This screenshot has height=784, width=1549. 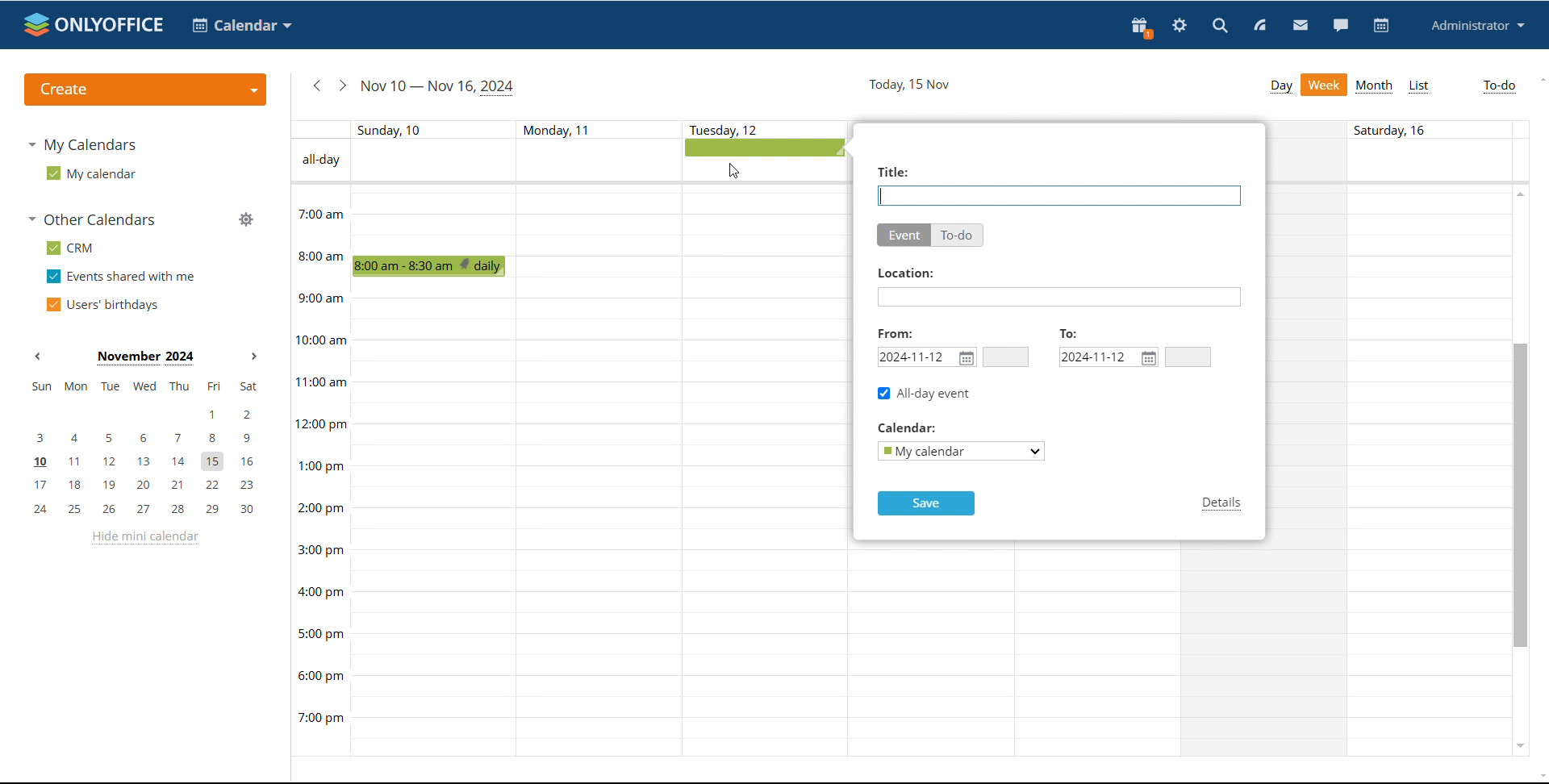 What do you see at coordinates (904, 235) in the screenshot?
I see `event` at bounding box center [904, 235].